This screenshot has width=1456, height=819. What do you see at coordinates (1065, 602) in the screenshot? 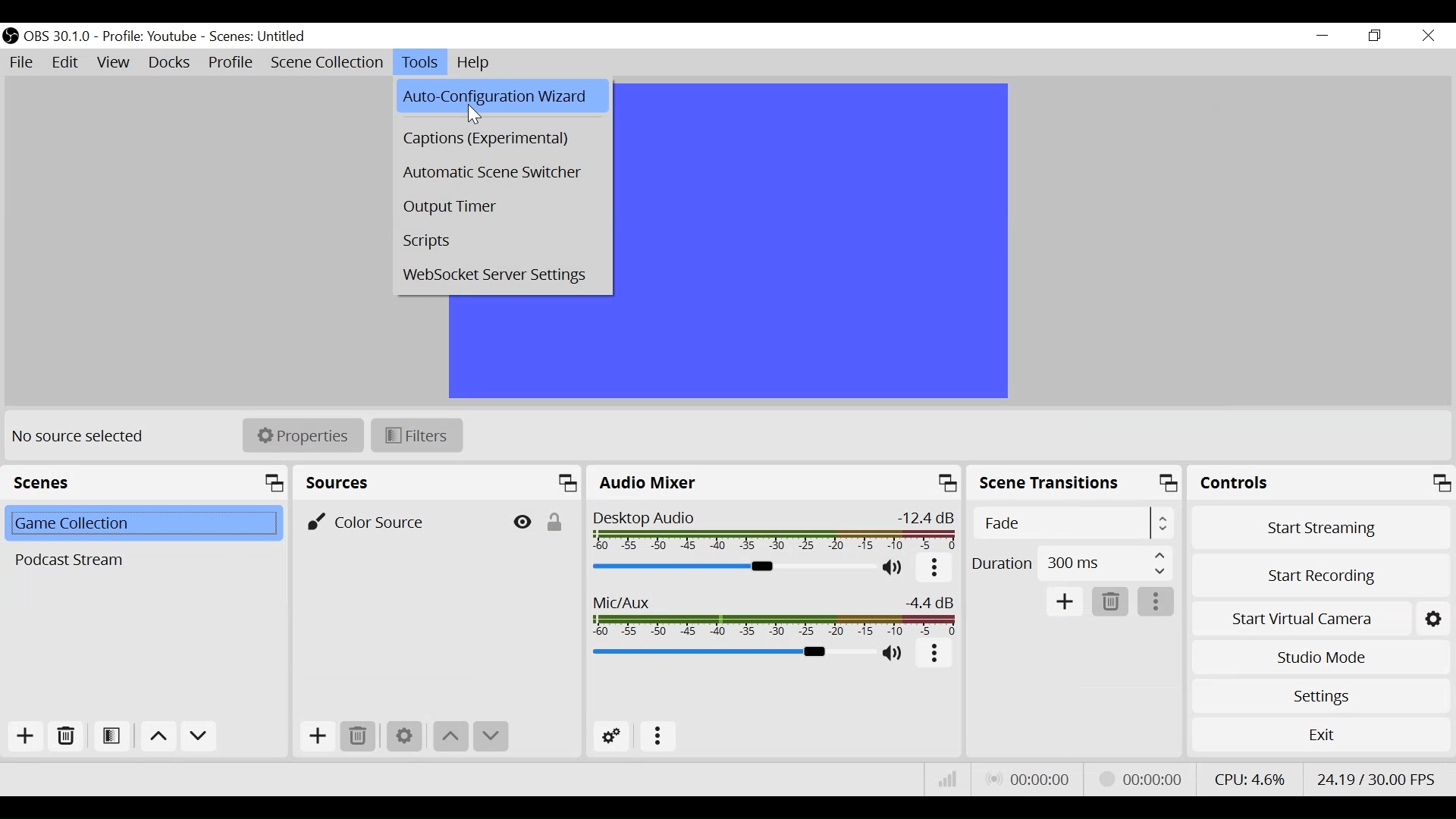
I see `Add` at bounding box center [1065, 602].